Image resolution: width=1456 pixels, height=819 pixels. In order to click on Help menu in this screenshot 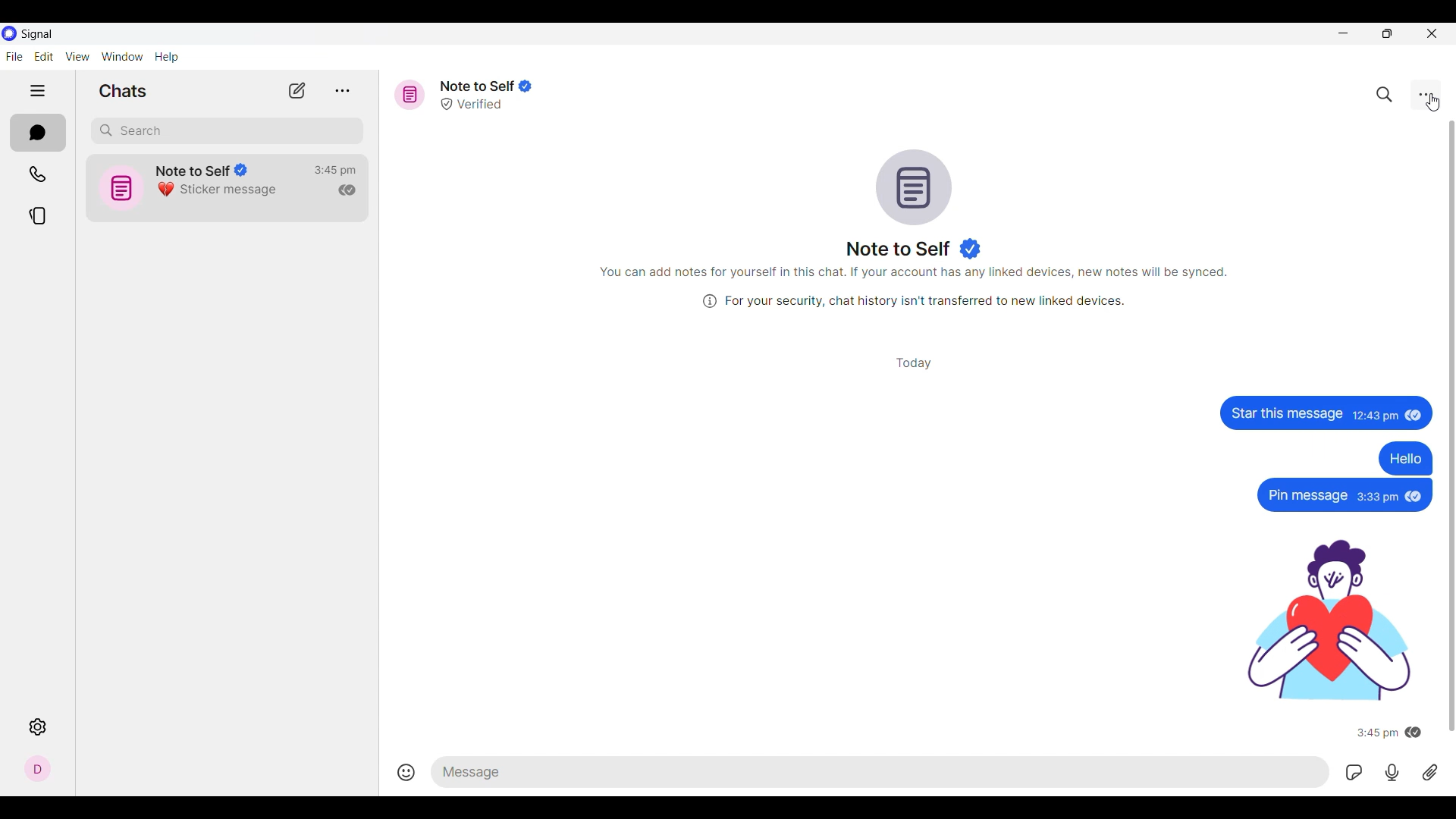, I will do `click(167, 58)`.